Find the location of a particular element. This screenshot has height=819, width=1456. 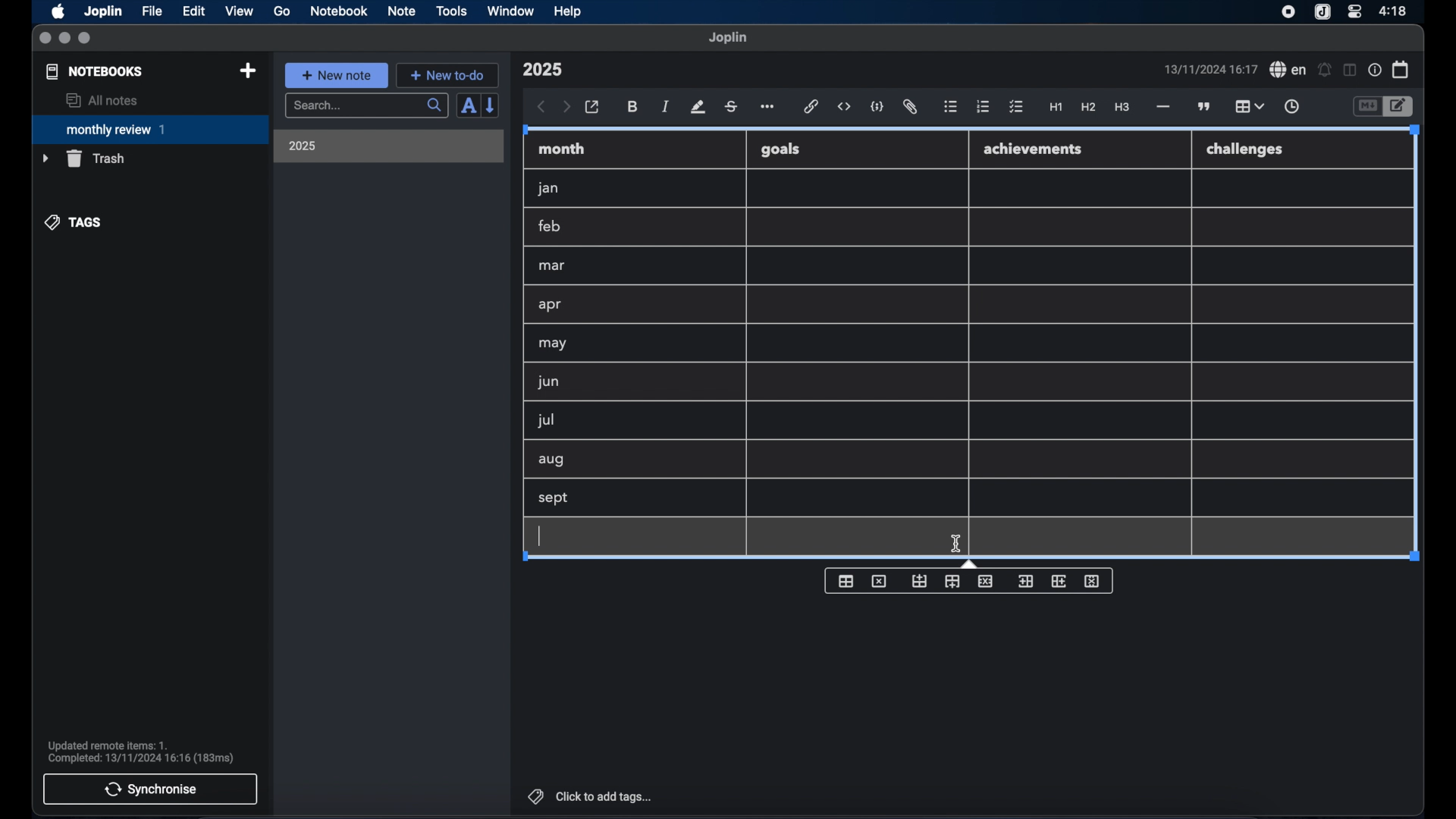

trash is located at coordinates (83, 158).